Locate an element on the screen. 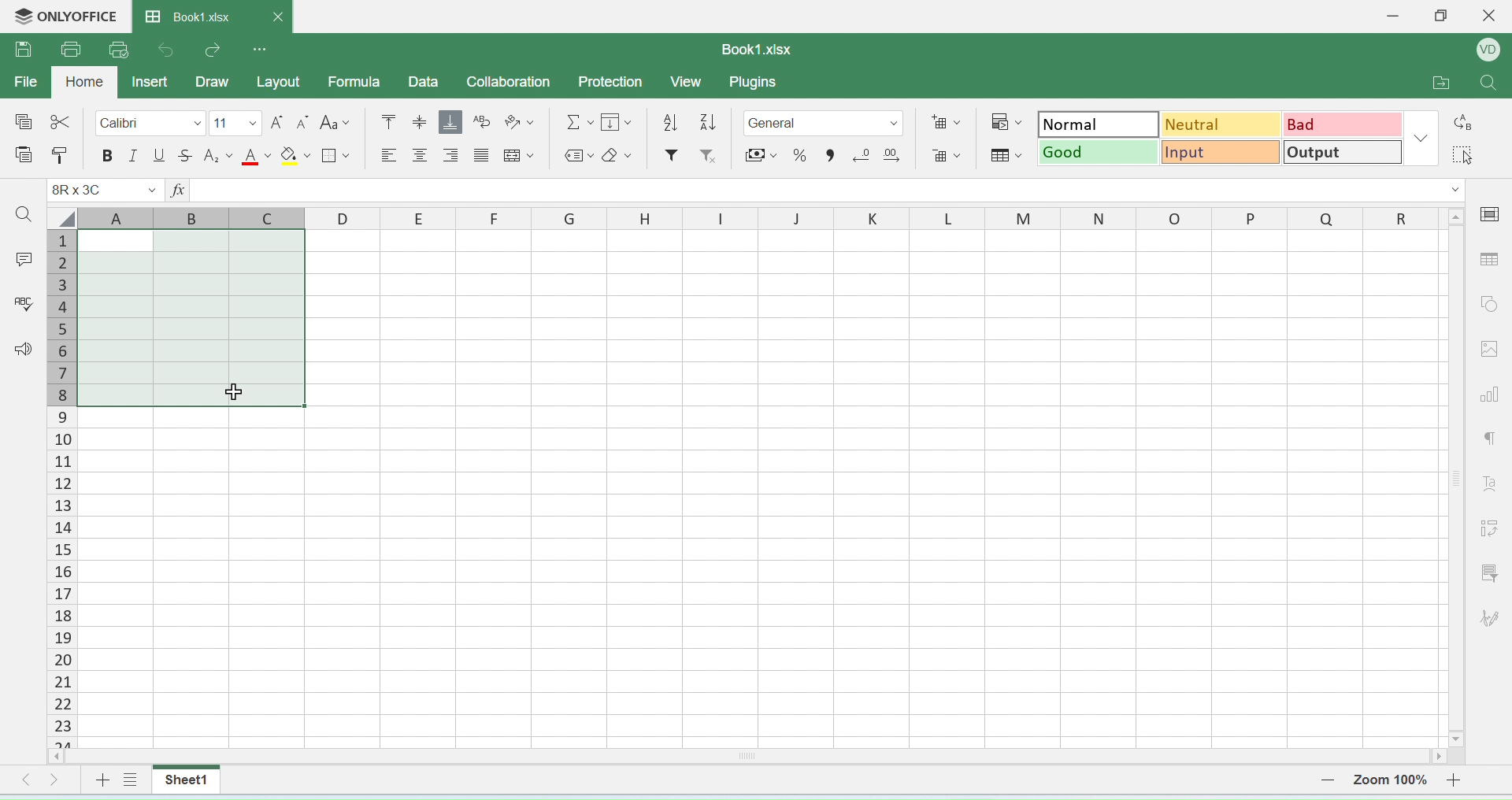 The width and height of the screenshot is (1512, 800). label is located at coordinates (576, 158).